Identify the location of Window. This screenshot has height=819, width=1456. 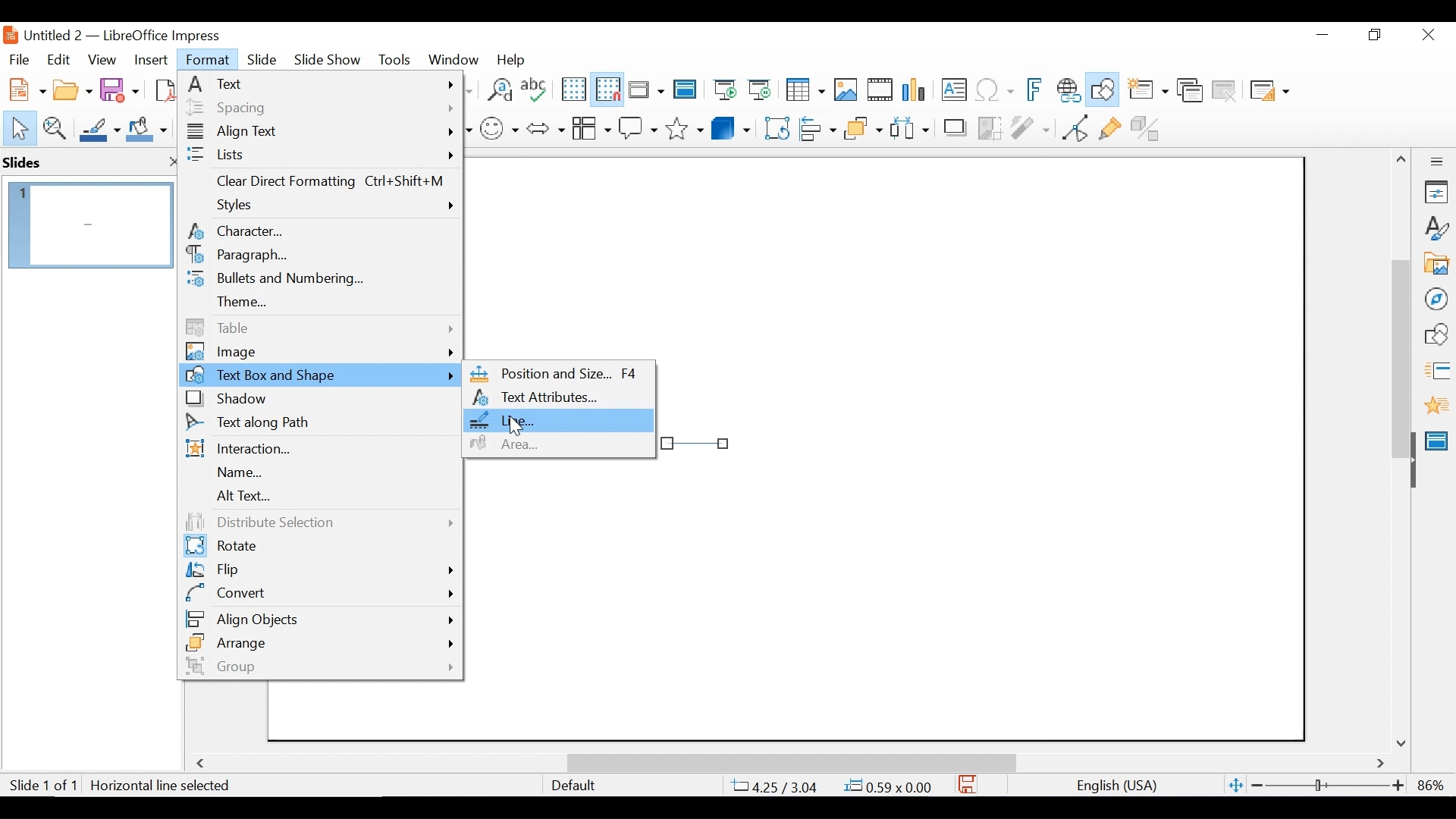
(453, 59).